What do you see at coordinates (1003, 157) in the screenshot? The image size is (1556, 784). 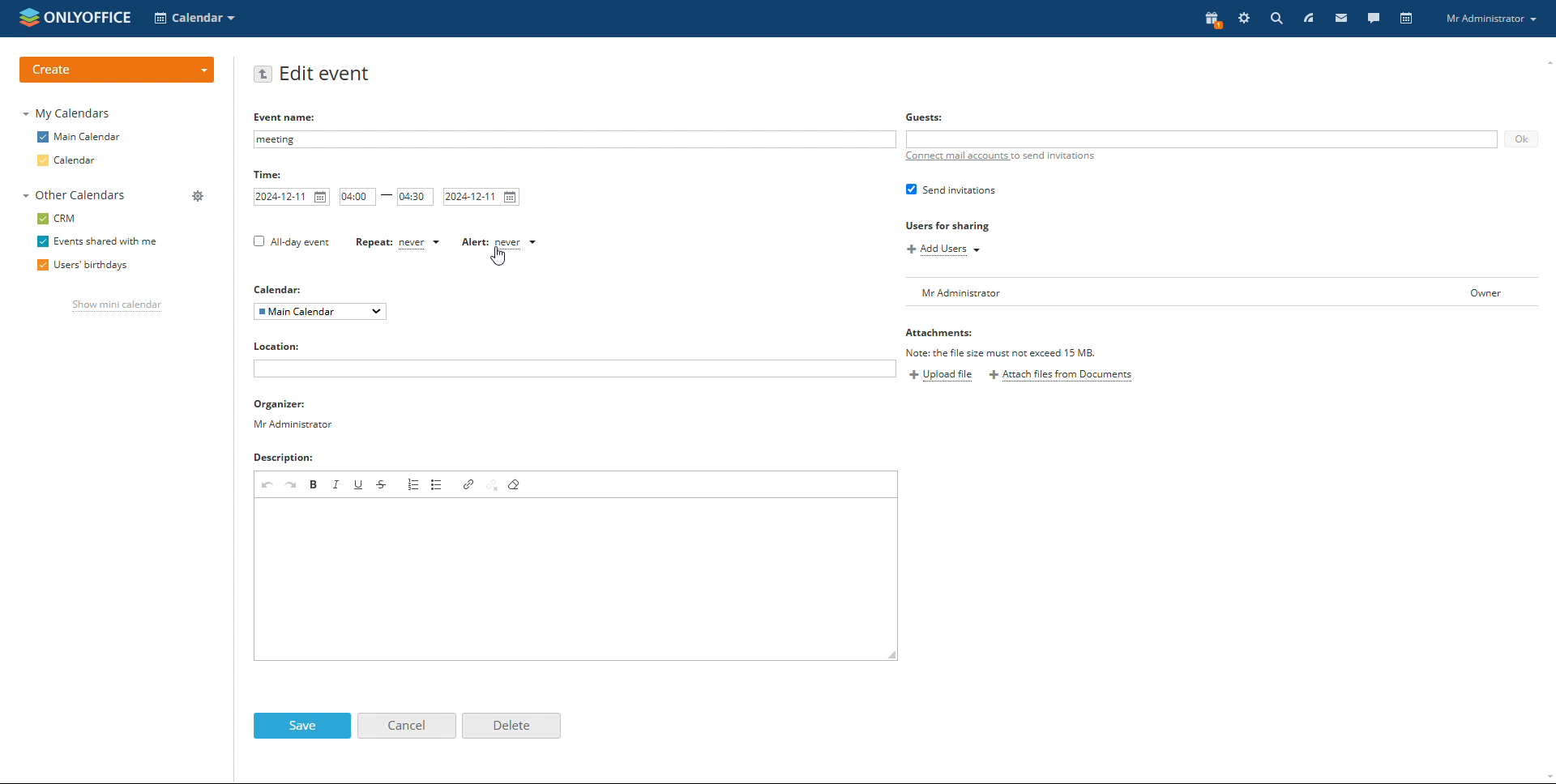 I see `connect mail accounts` at bounding box center [1003, 157].